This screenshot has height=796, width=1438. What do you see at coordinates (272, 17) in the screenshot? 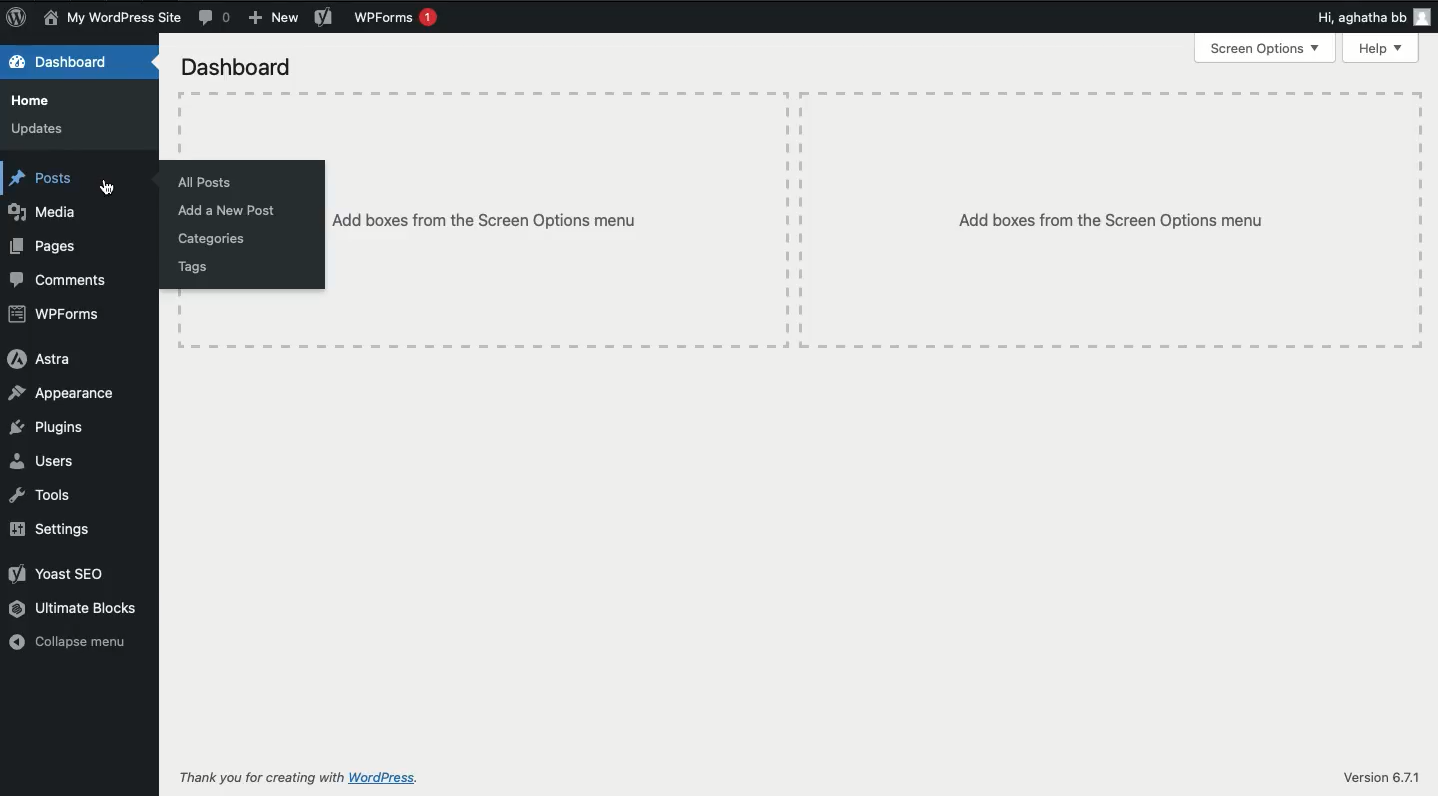
I see `New` at bounding box center [272, 17].